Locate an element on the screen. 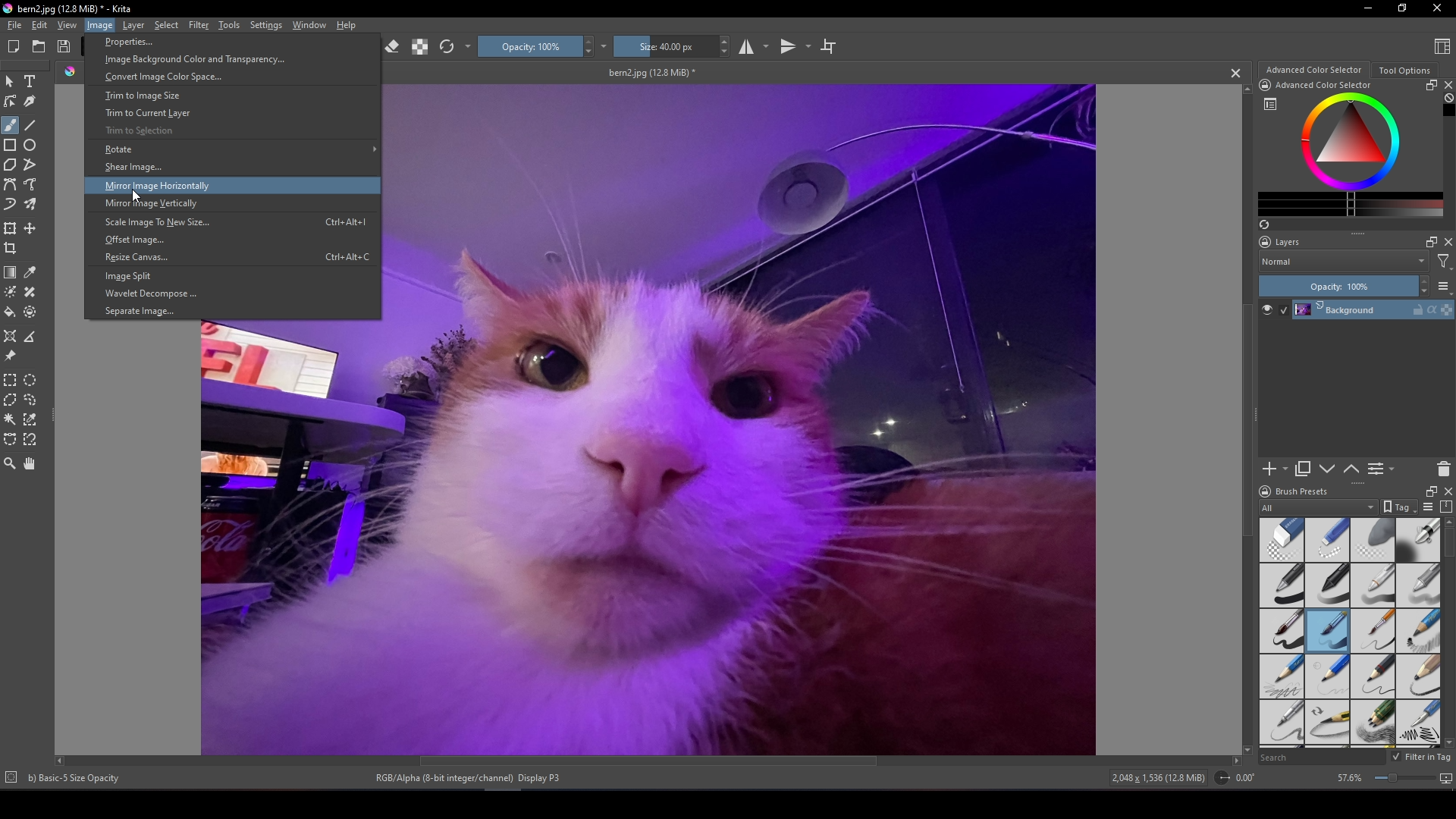 This screenshot has width=1456, height=819. Display settings is located at coordinates (1431, 507).